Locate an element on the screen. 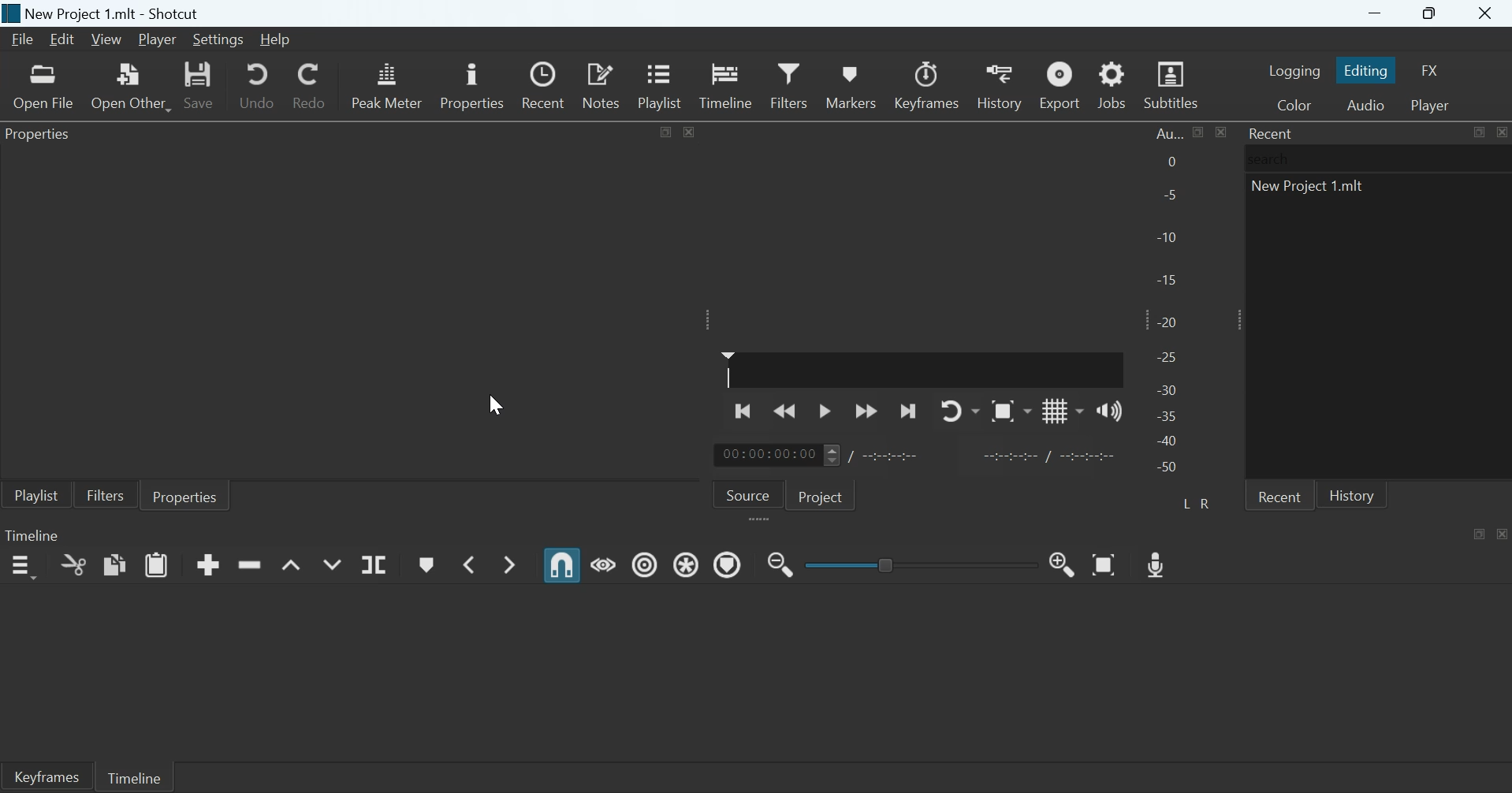 The image size is (1512, 793). Maximize is located at coordinates (667, 130).